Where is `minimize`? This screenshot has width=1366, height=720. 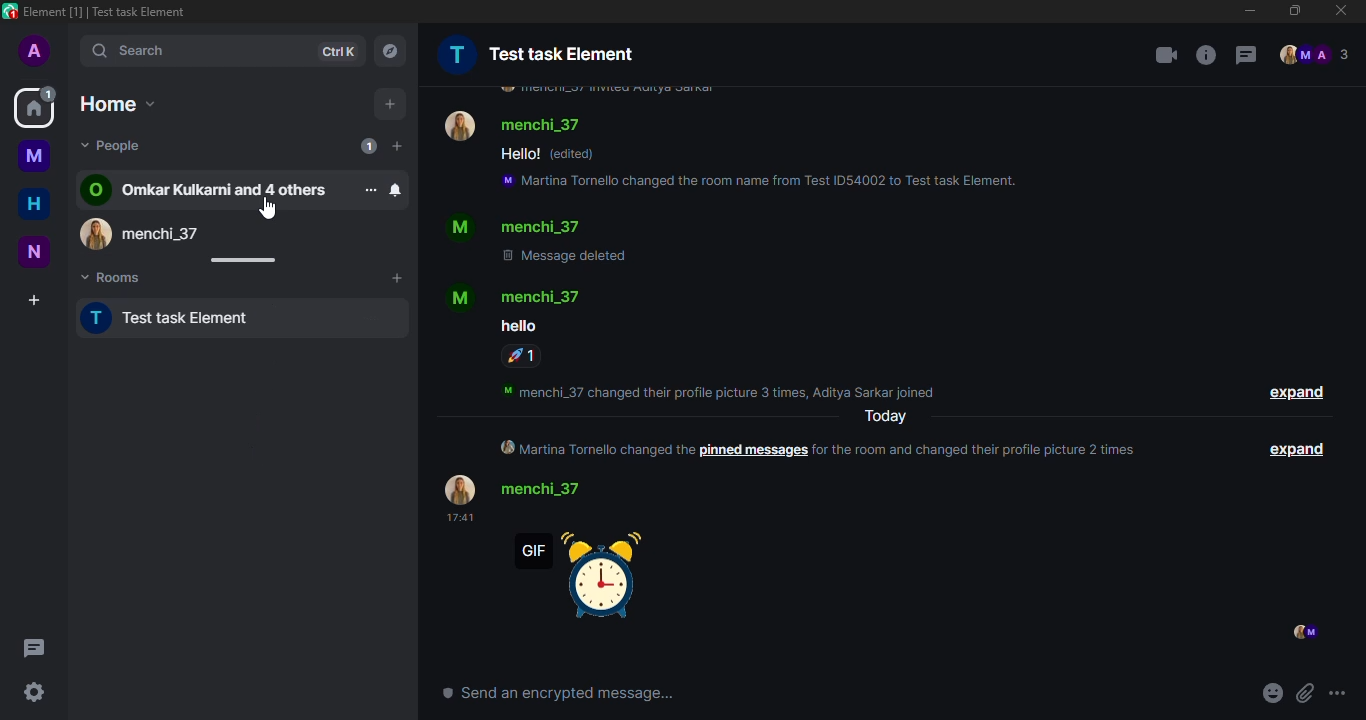
minimize is located at coordinates (1246, 11).